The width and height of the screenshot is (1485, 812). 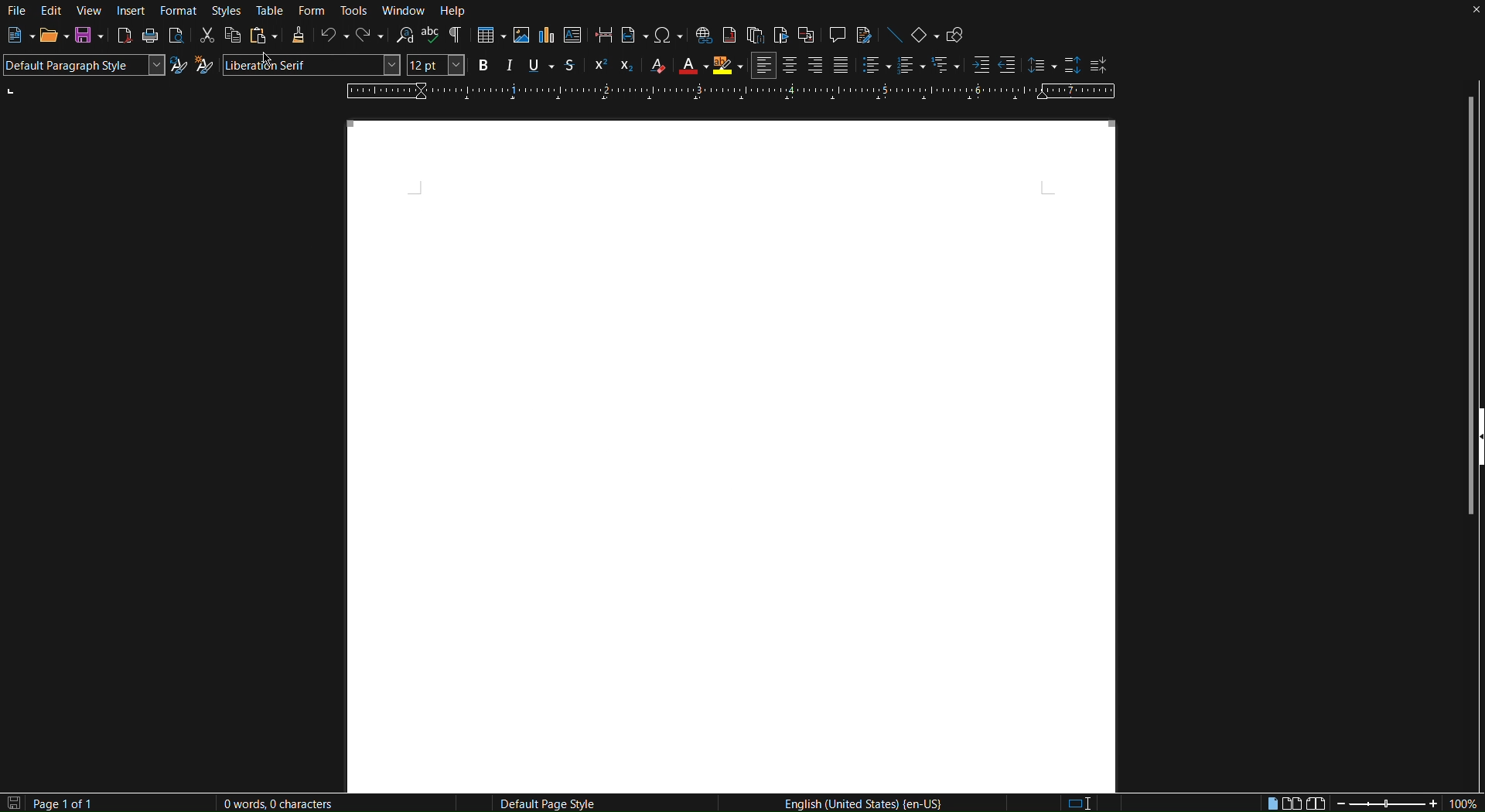 I want to click on Highlight Color, so click(x=727, y=67).